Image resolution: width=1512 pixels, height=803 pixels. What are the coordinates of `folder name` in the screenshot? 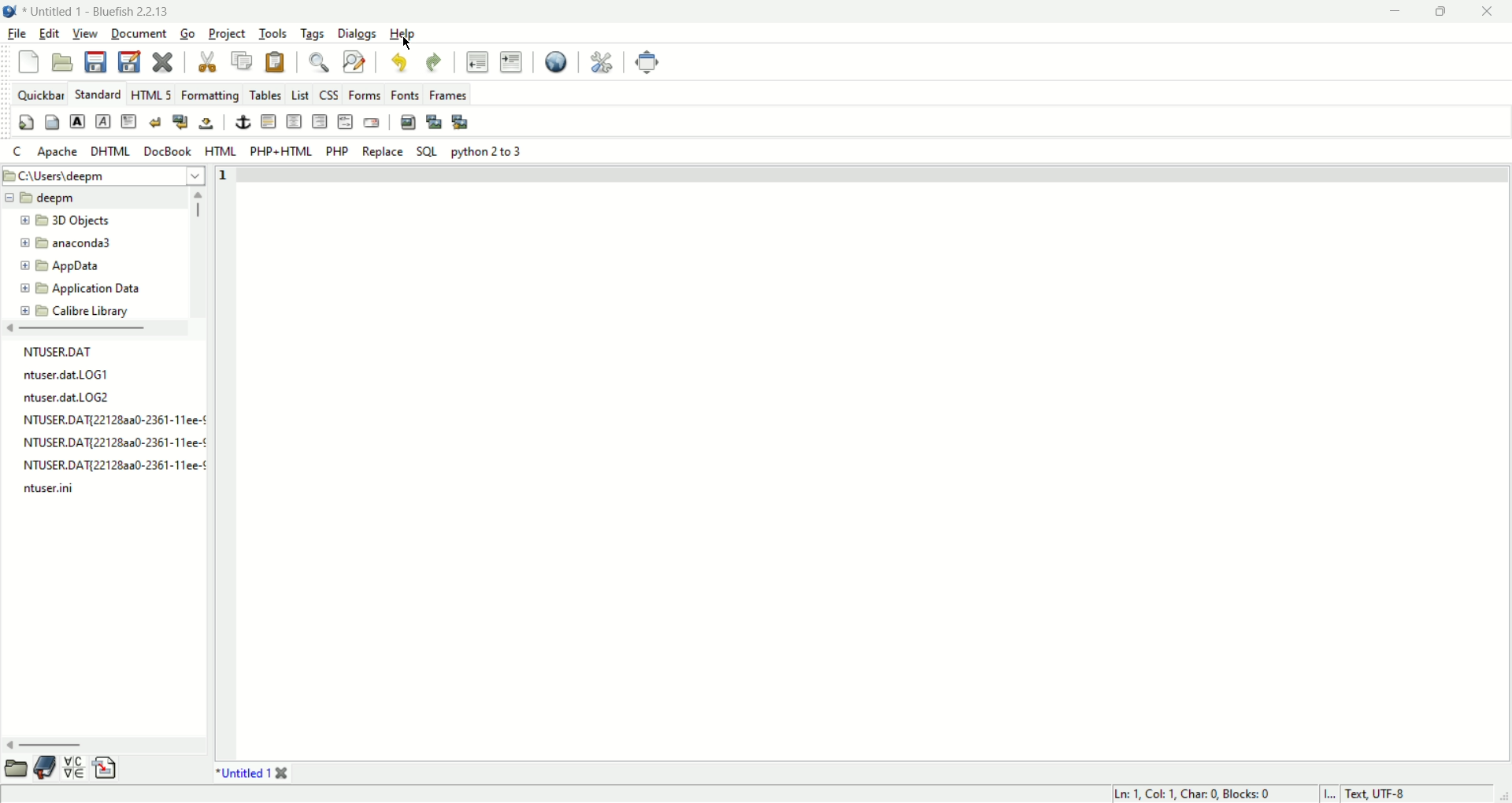 It's located at (72, 220).